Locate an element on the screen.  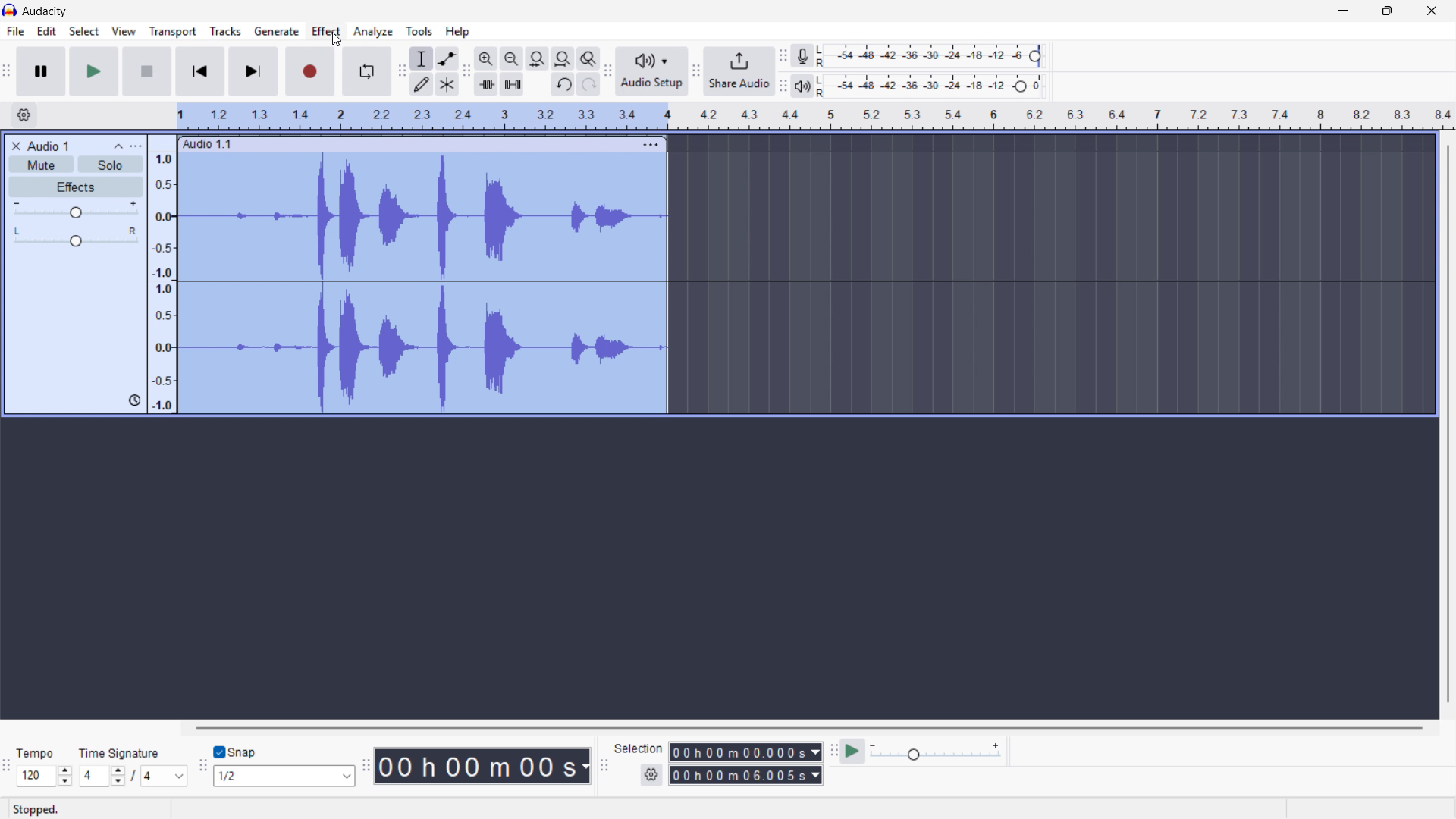
Set time signature is located at coordinates (133, 765).